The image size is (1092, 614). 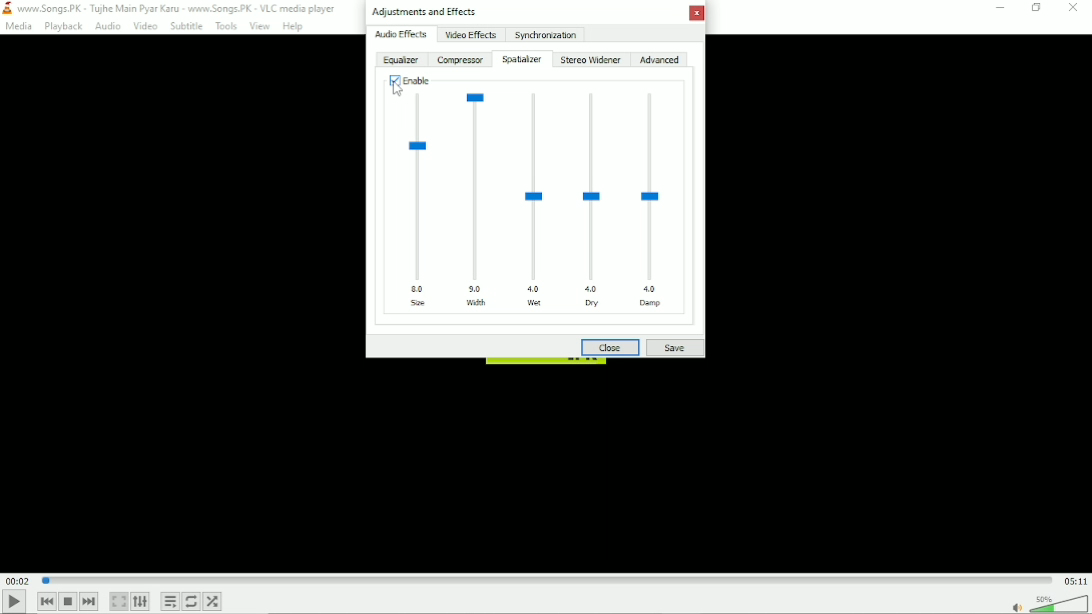 I want to click on Restore down, so click(x=1036, y=8).